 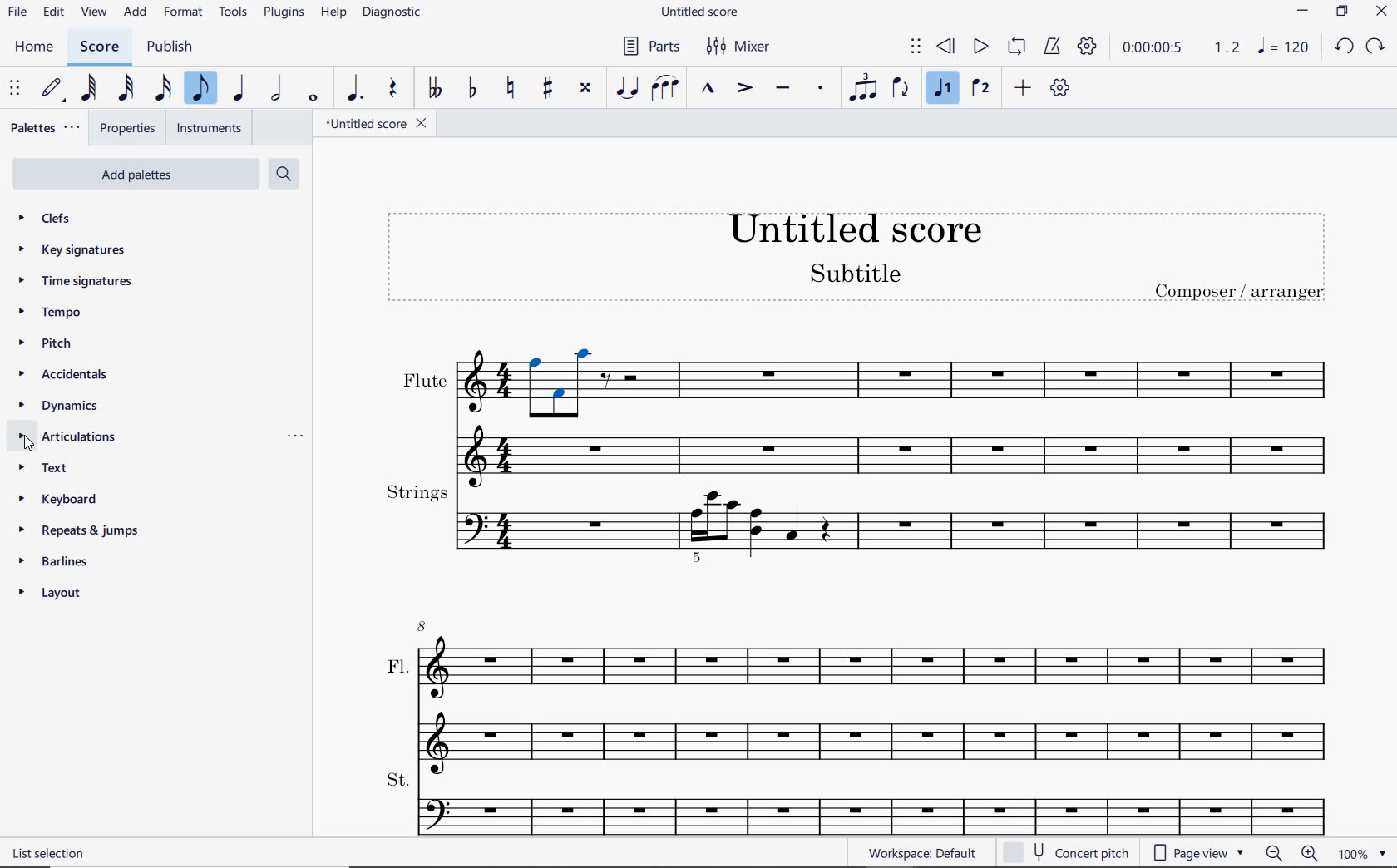 What do you see at coordinates (1302, 11) in the screenshot?
I see `minimize` at bounding box center [1302, 11].